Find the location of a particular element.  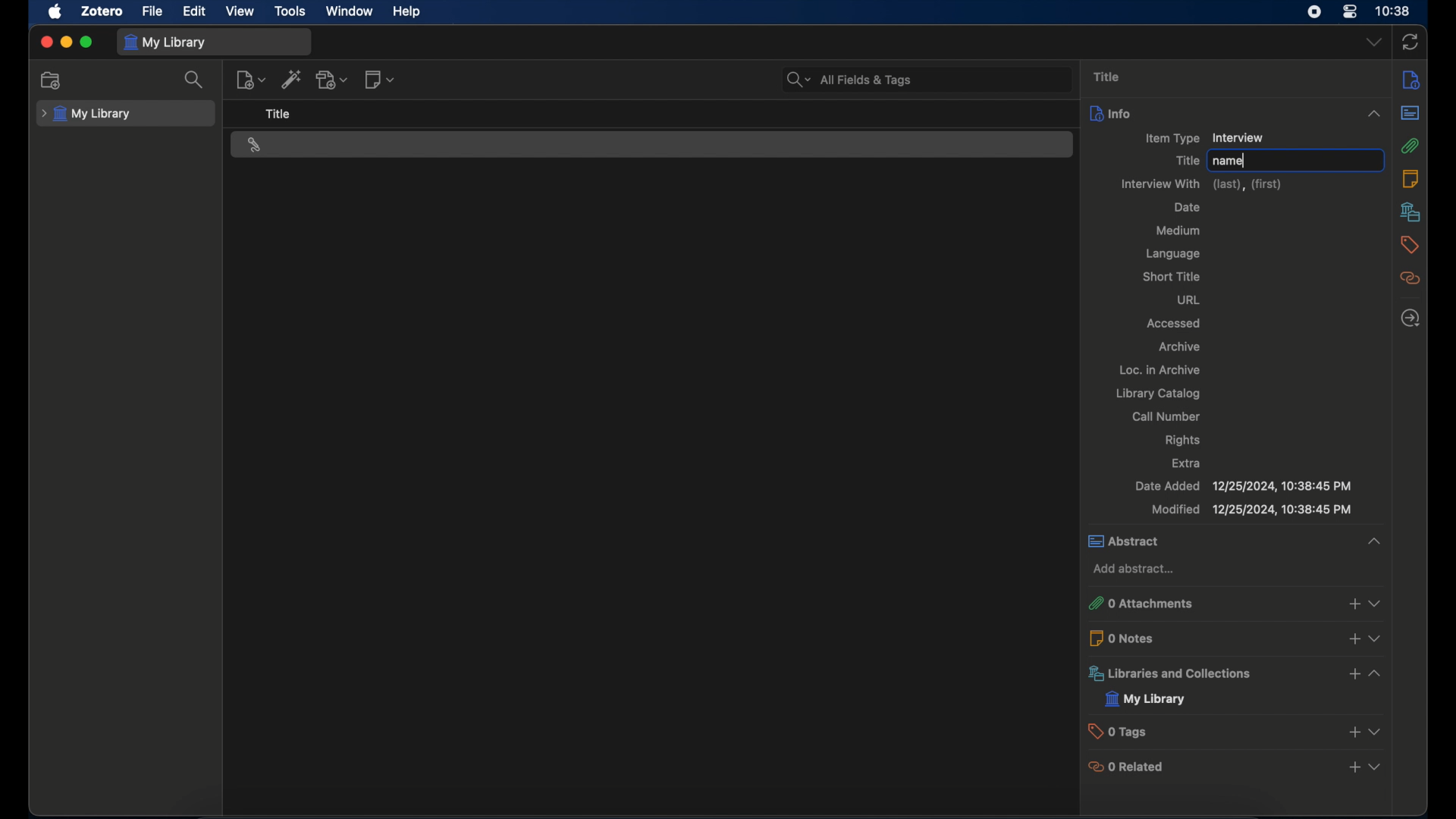

add attachment is located at coordinates (333, 80).